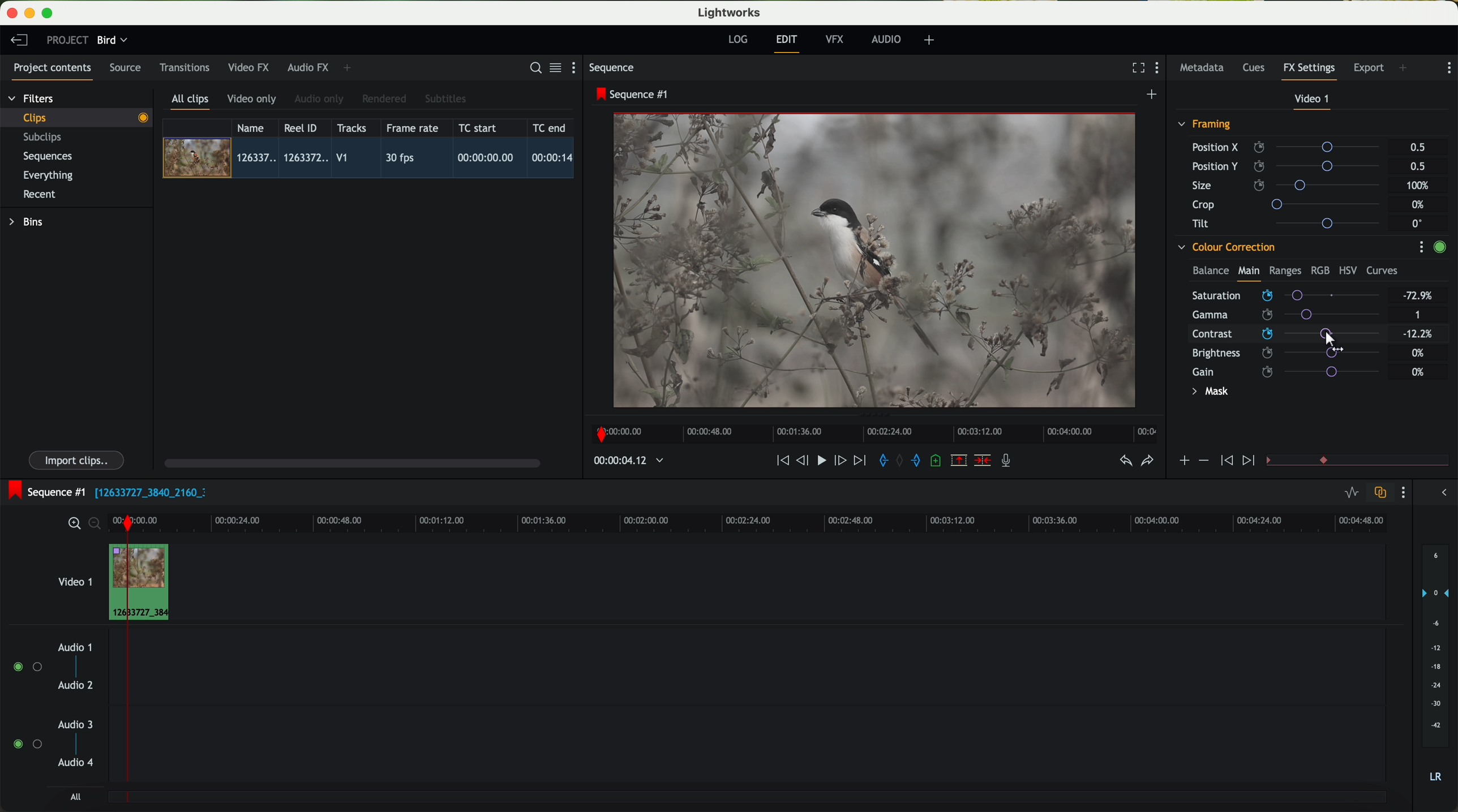 This screenshot has width=1458, height=812. I want to click on import clips, so click(78, 459).